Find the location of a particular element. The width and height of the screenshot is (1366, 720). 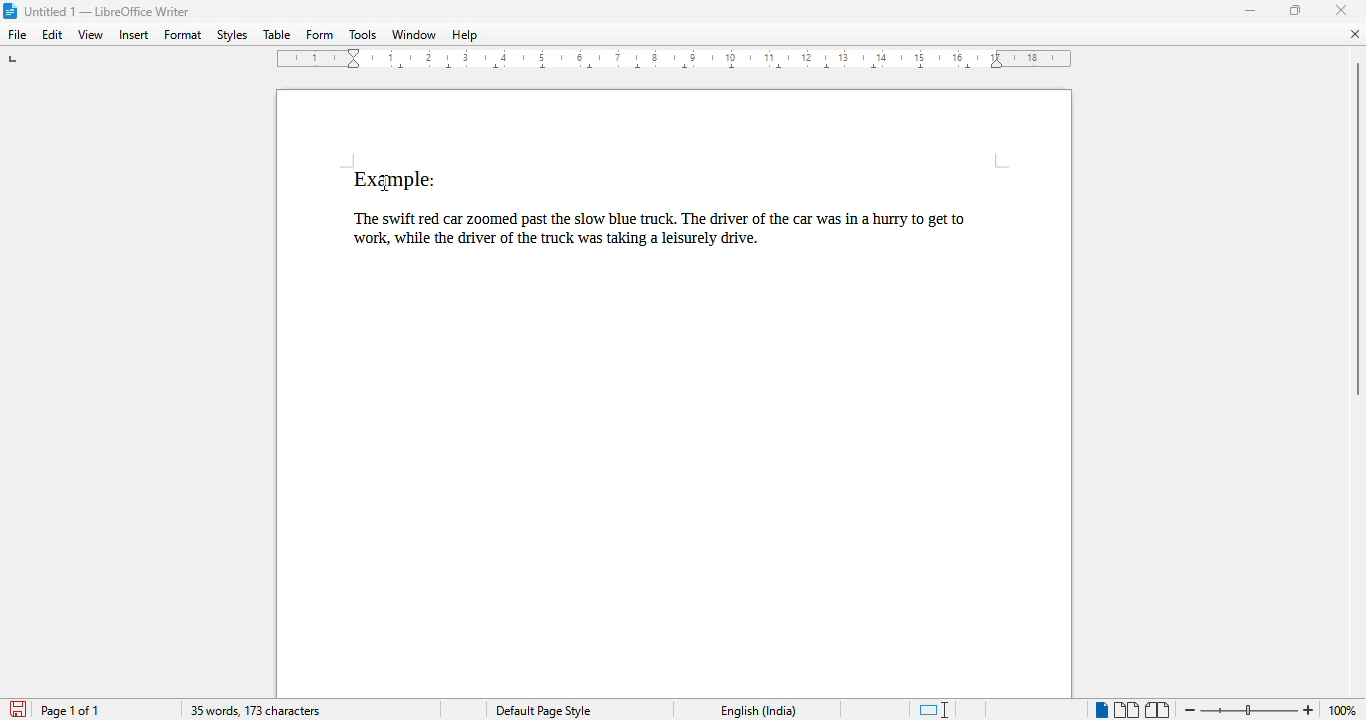

view is located at coordinates (91, 35).